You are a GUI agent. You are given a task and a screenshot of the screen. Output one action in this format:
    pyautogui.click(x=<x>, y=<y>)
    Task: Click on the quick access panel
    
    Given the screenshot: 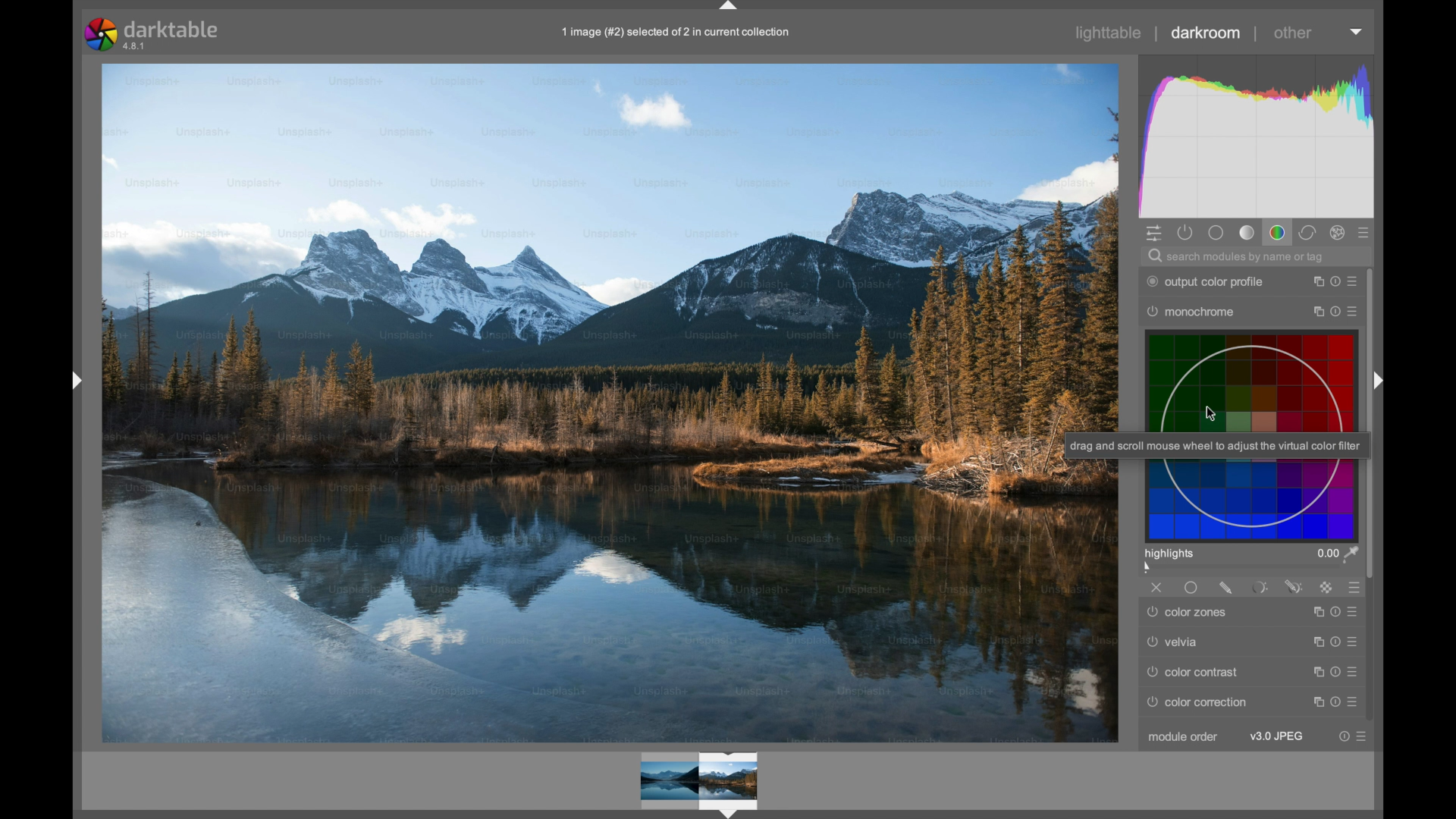 What is the action you would take?
    pyautogui.click(x=1154, y=234)
    